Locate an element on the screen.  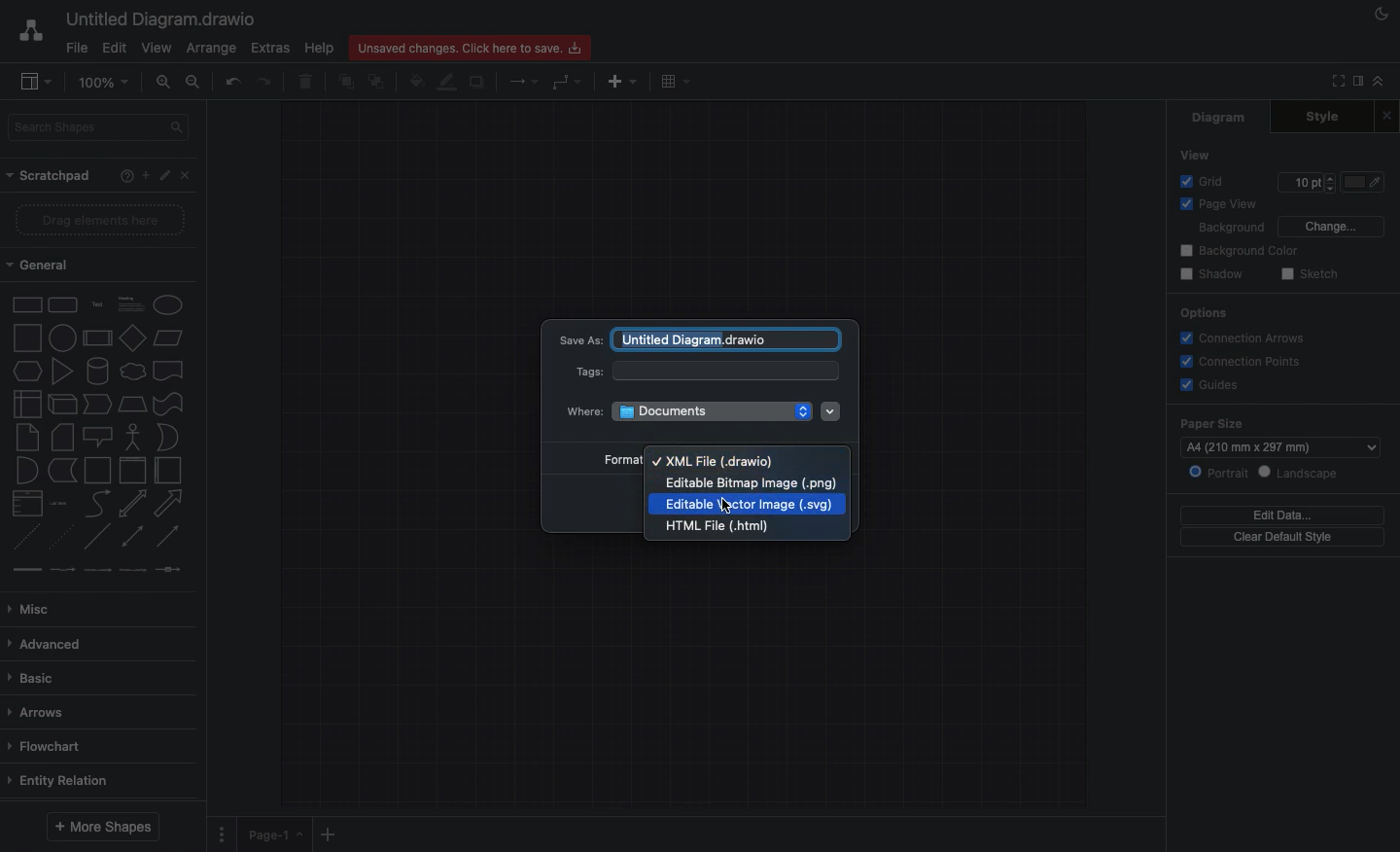
Close is located at coordinates (187, 175).